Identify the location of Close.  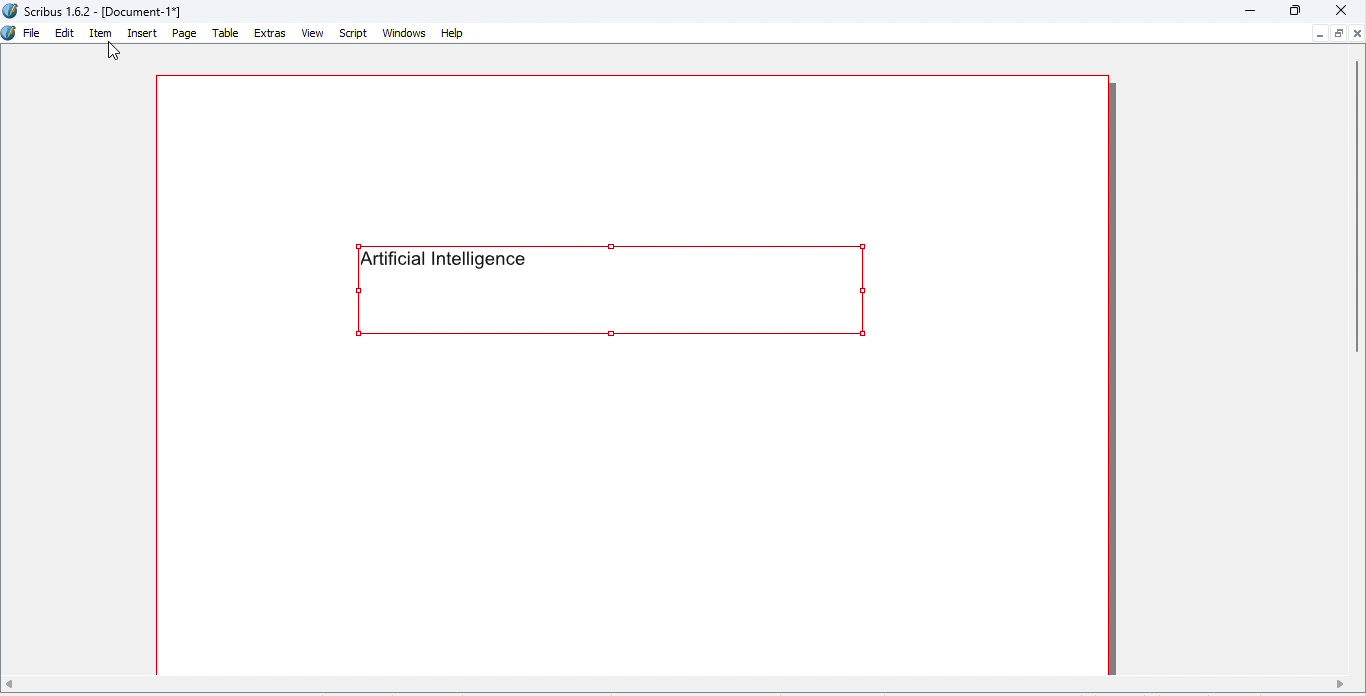
(1336, 10).